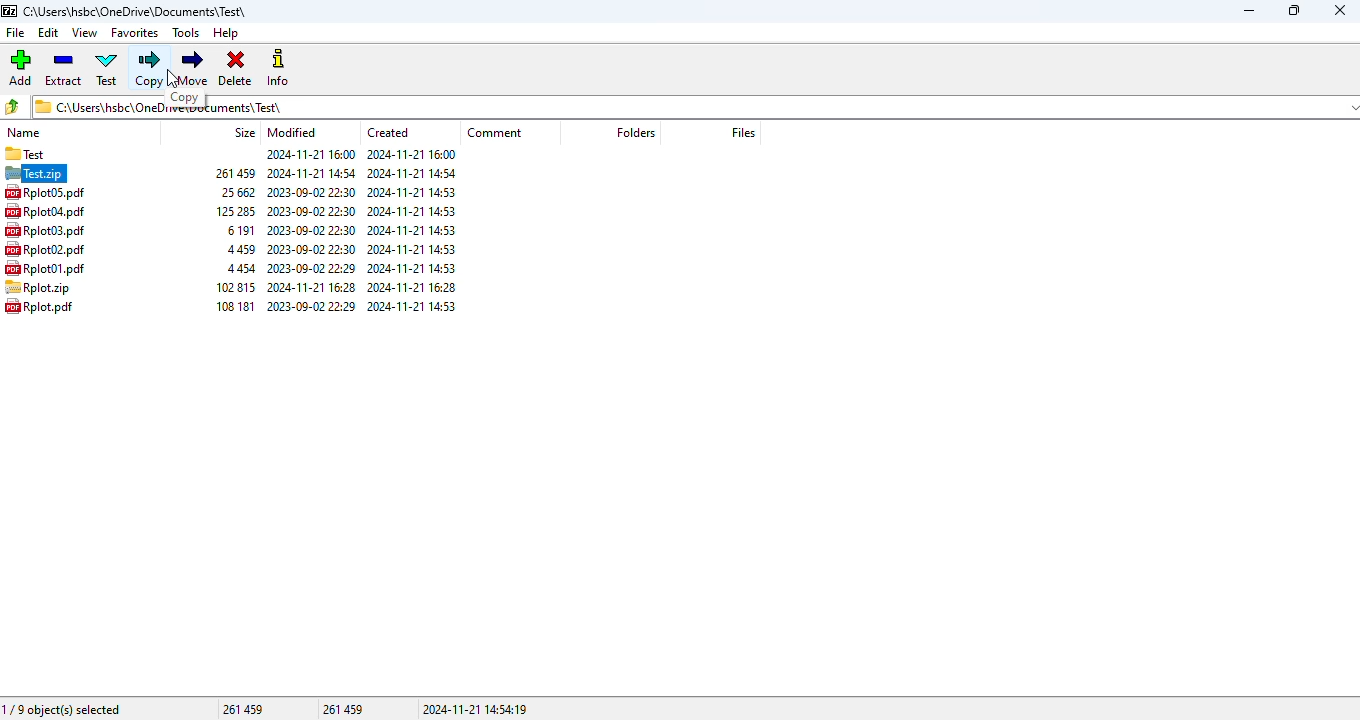 The image size is (1360, 720). What do you see at coordinates (39, 306) in the screenshot?
I see `file name` at bounding box center [39, 306].